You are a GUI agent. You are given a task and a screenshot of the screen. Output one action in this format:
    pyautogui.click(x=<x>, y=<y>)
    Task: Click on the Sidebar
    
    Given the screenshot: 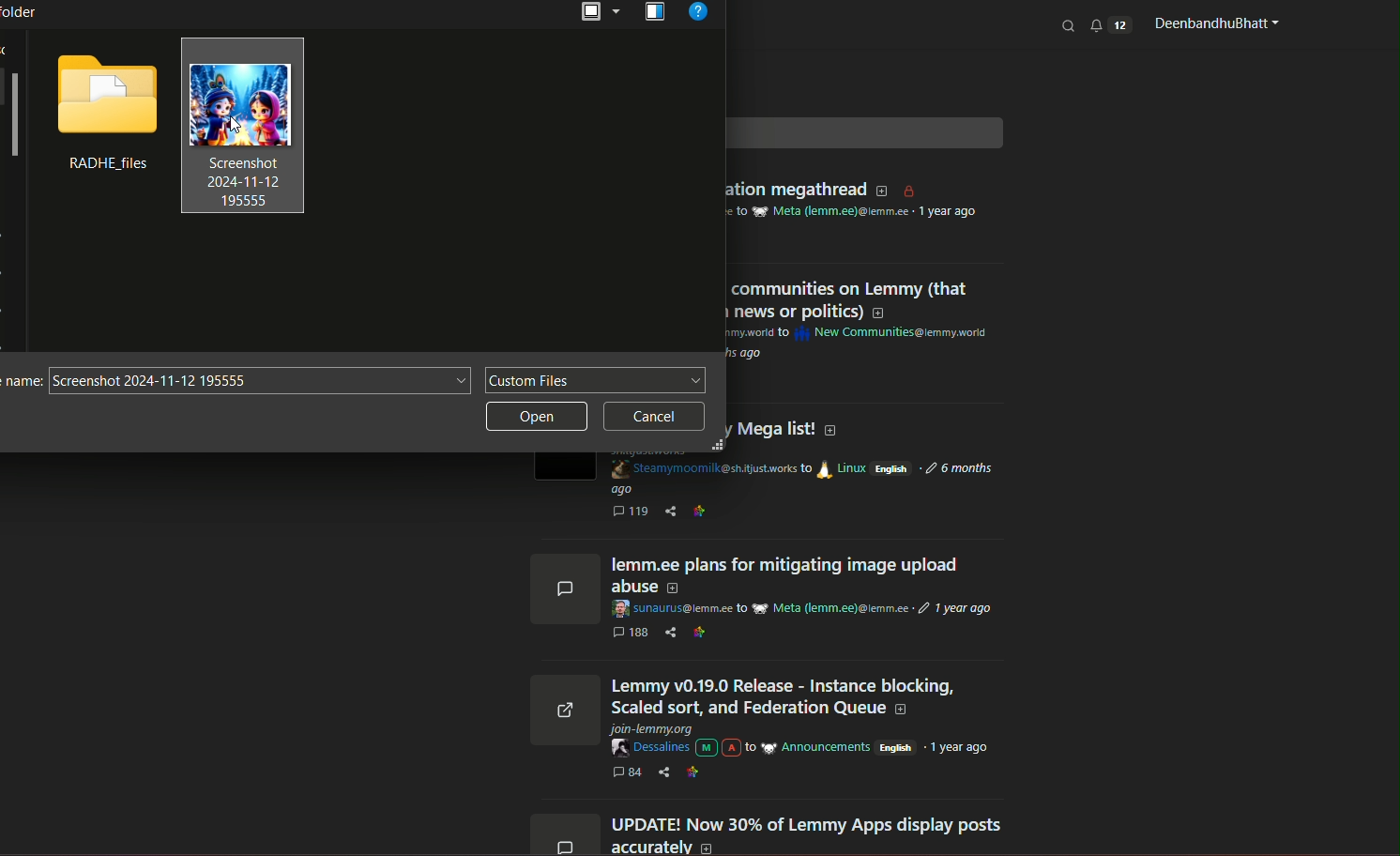 What is the action you would take?
    pyautogui.click(x=14, y=118)
    